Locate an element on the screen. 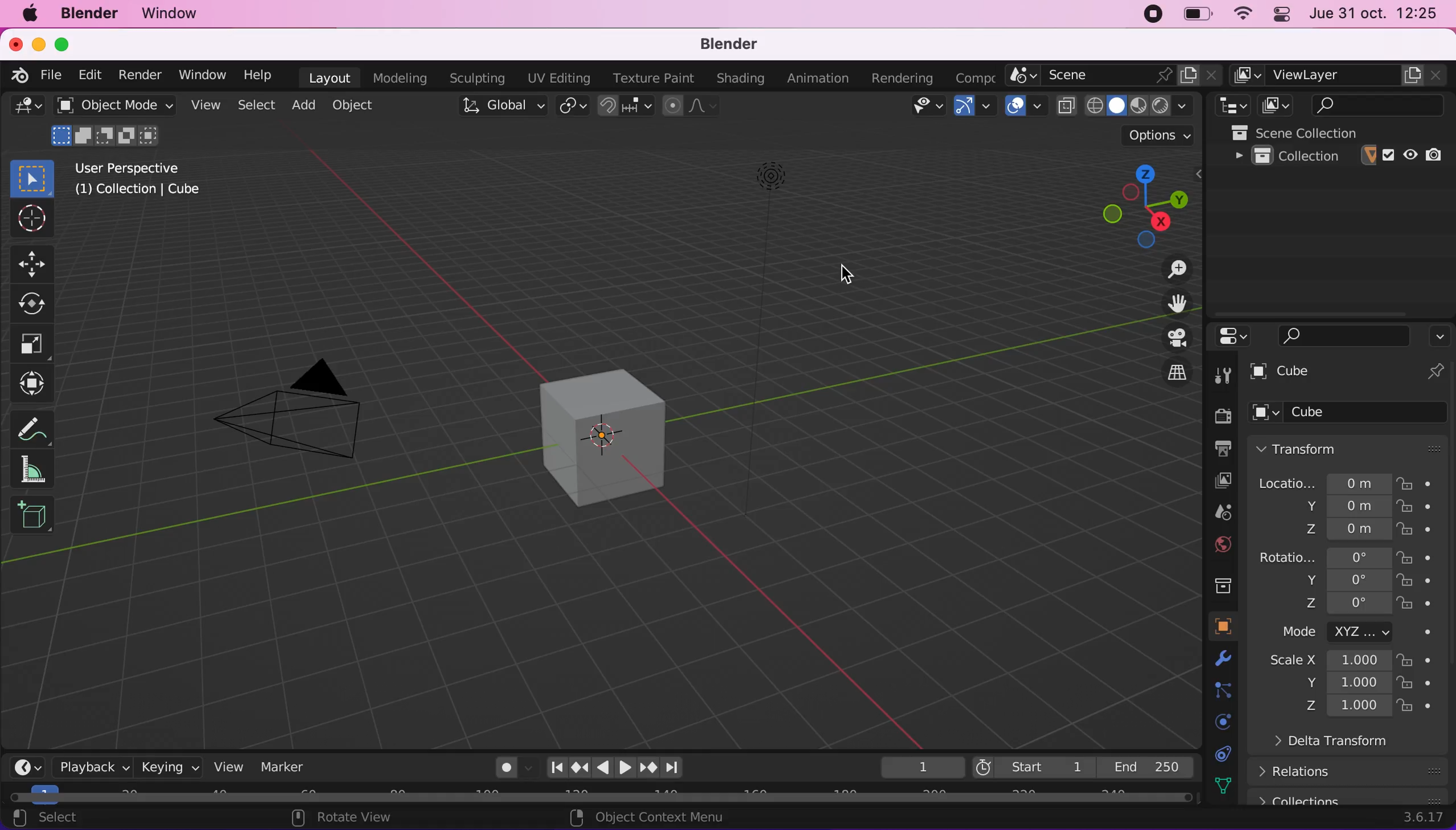 This screenshot has height=830, width=1456. editor type is located at coordinates (1229, 336).